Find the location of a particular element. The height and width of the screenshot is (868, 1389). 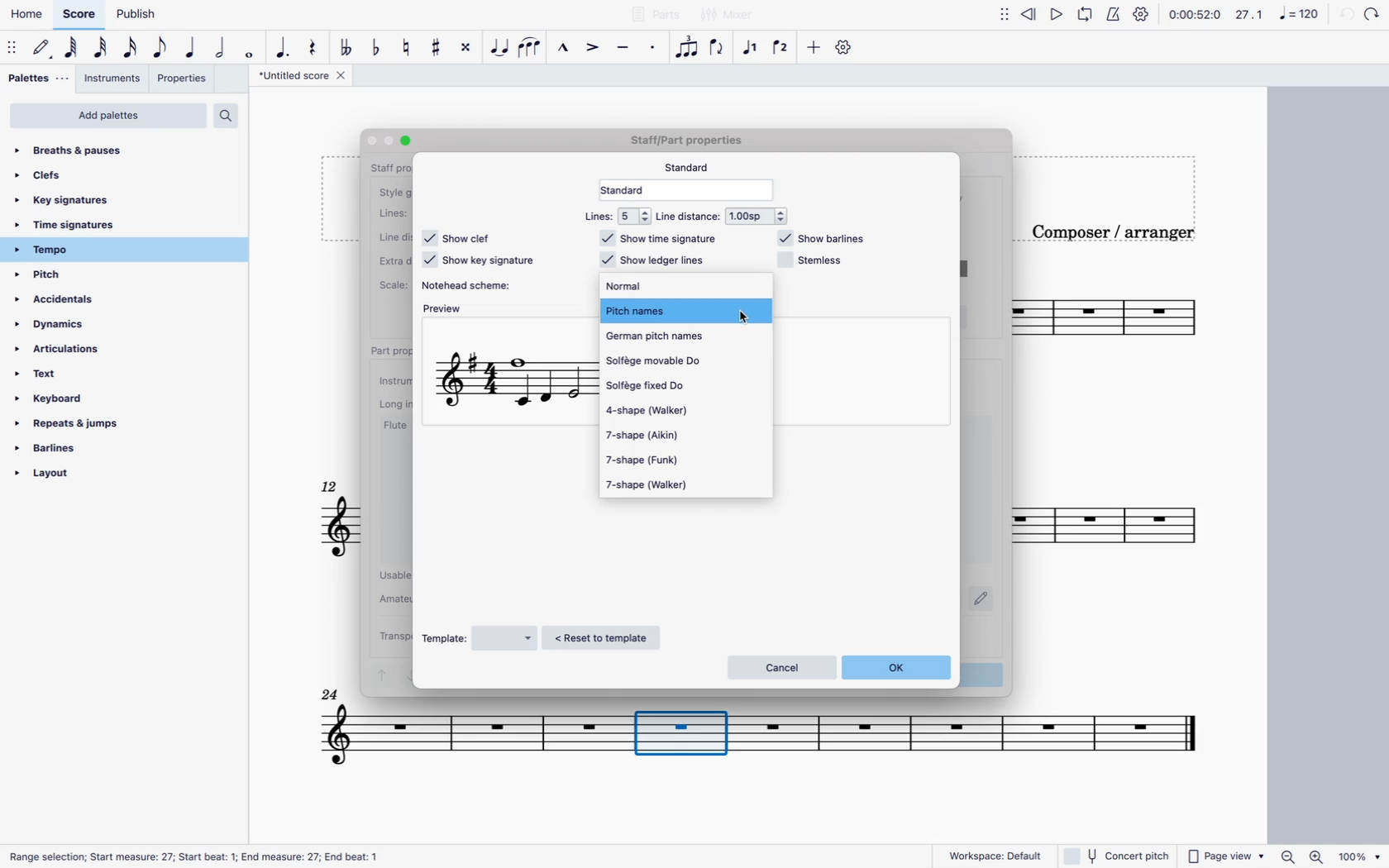

preview is located at coordinates (445, 311).